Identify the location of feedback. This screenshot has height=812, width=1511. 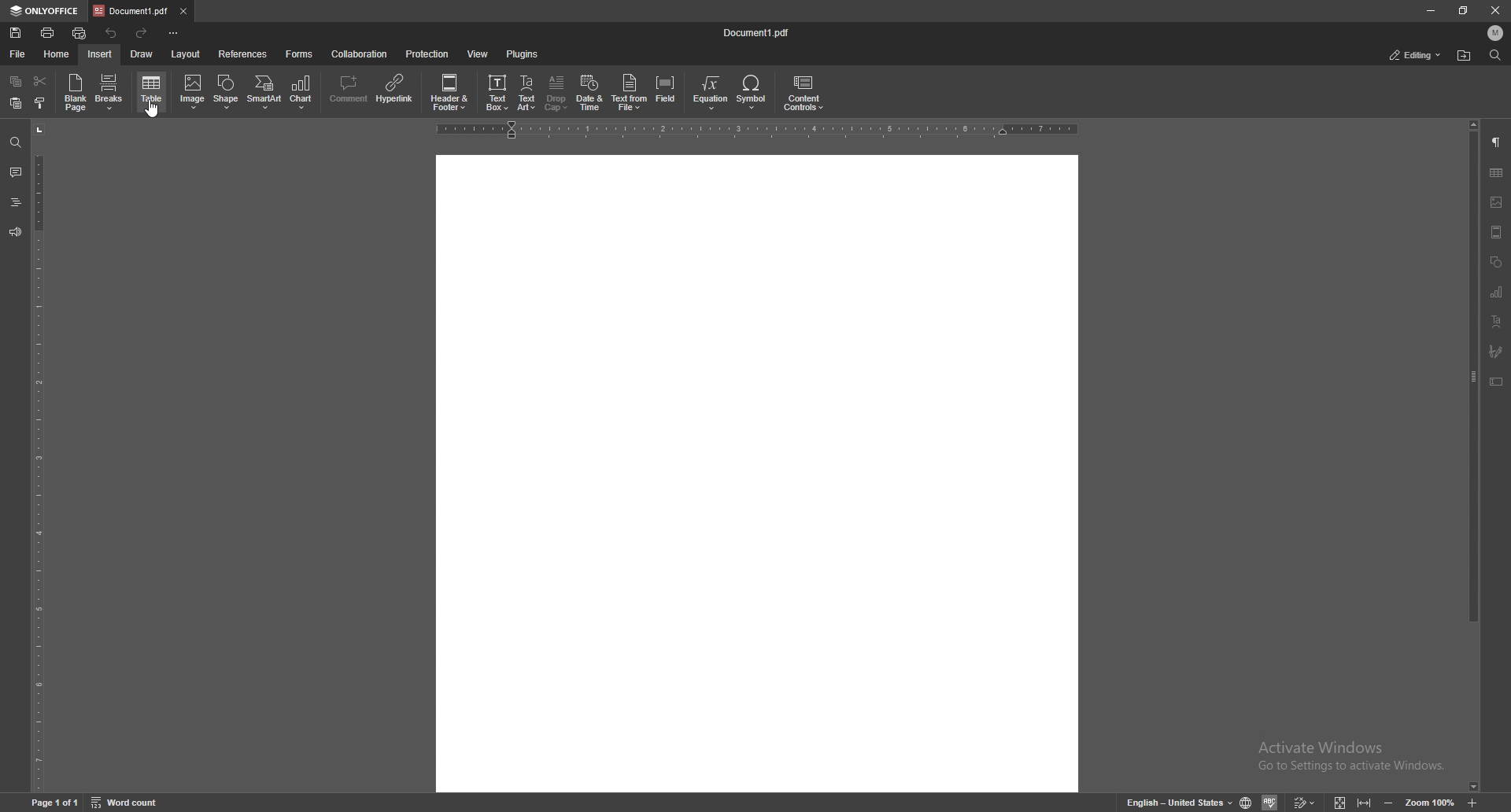
(15, 232).